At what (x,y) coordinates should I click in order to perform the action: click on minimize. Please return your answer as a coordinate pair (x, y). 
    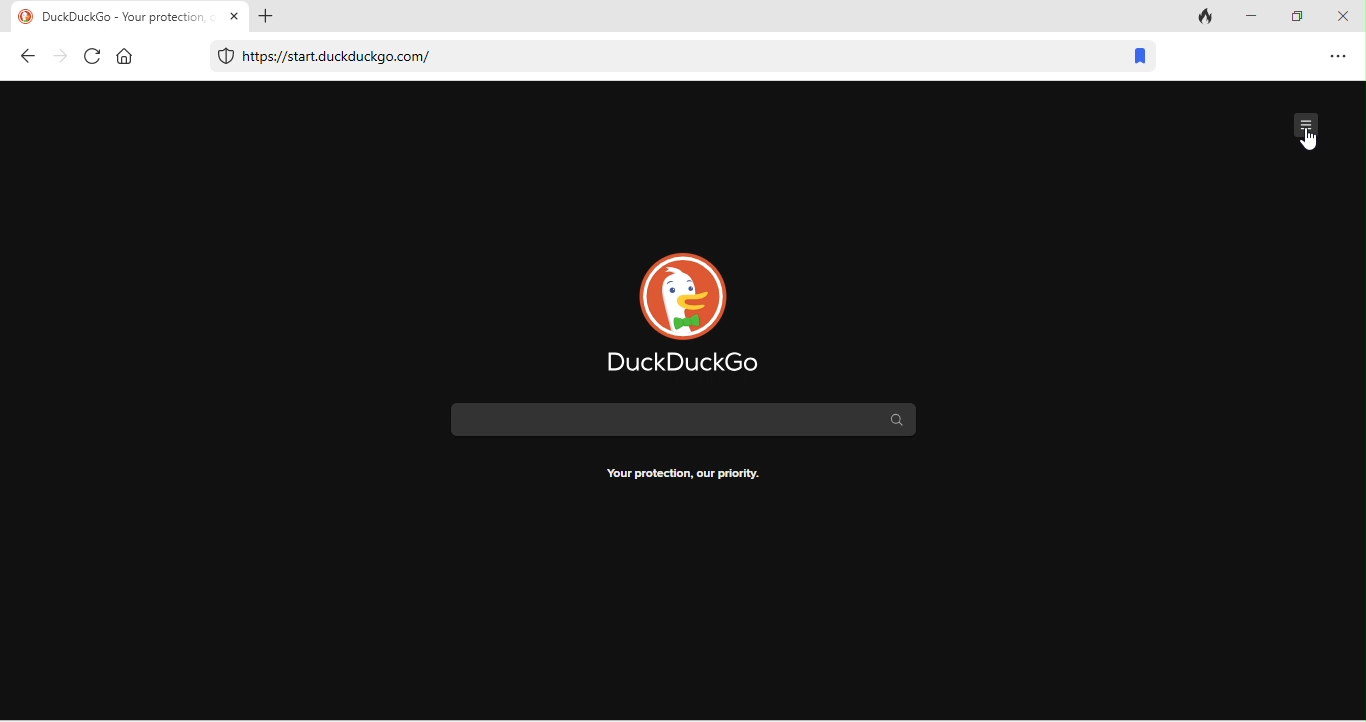
    Looking at the image, I should click on (1257, 16).